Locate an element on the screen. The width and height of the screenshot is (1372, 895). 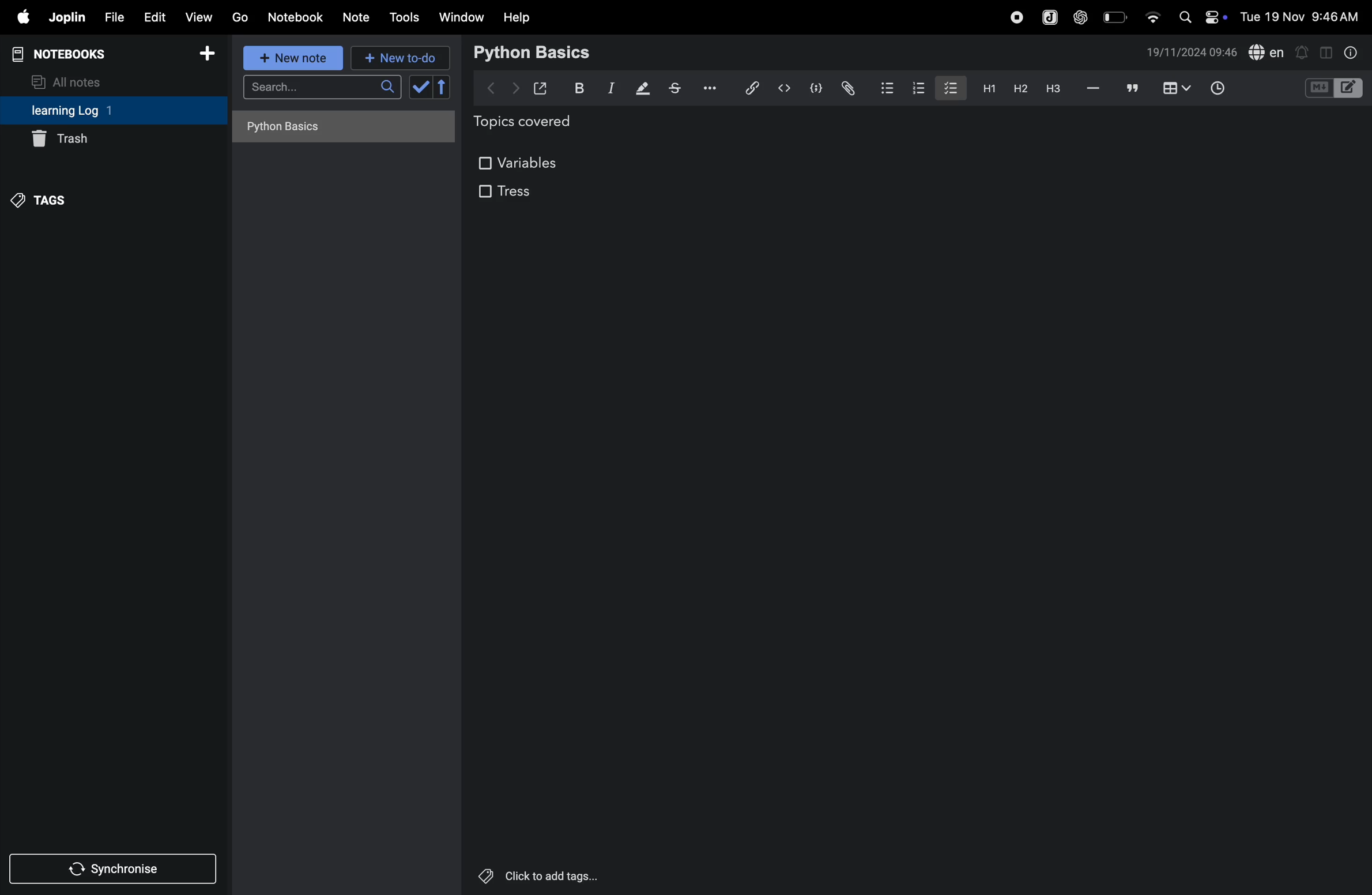
joplin is located at coordinates (1048, 17).